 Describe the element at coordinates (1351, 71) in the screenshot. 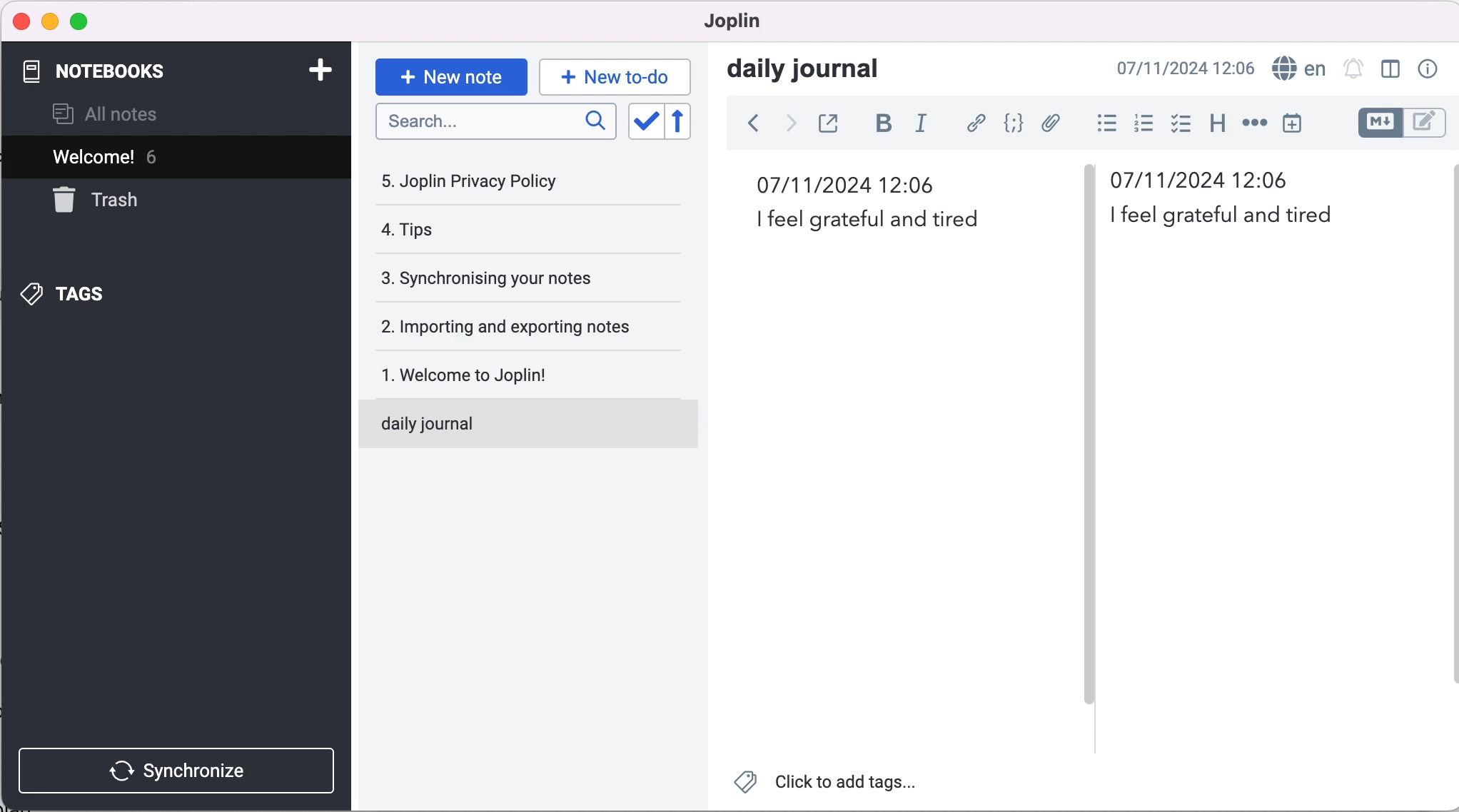

I see `set alarm` at that location.